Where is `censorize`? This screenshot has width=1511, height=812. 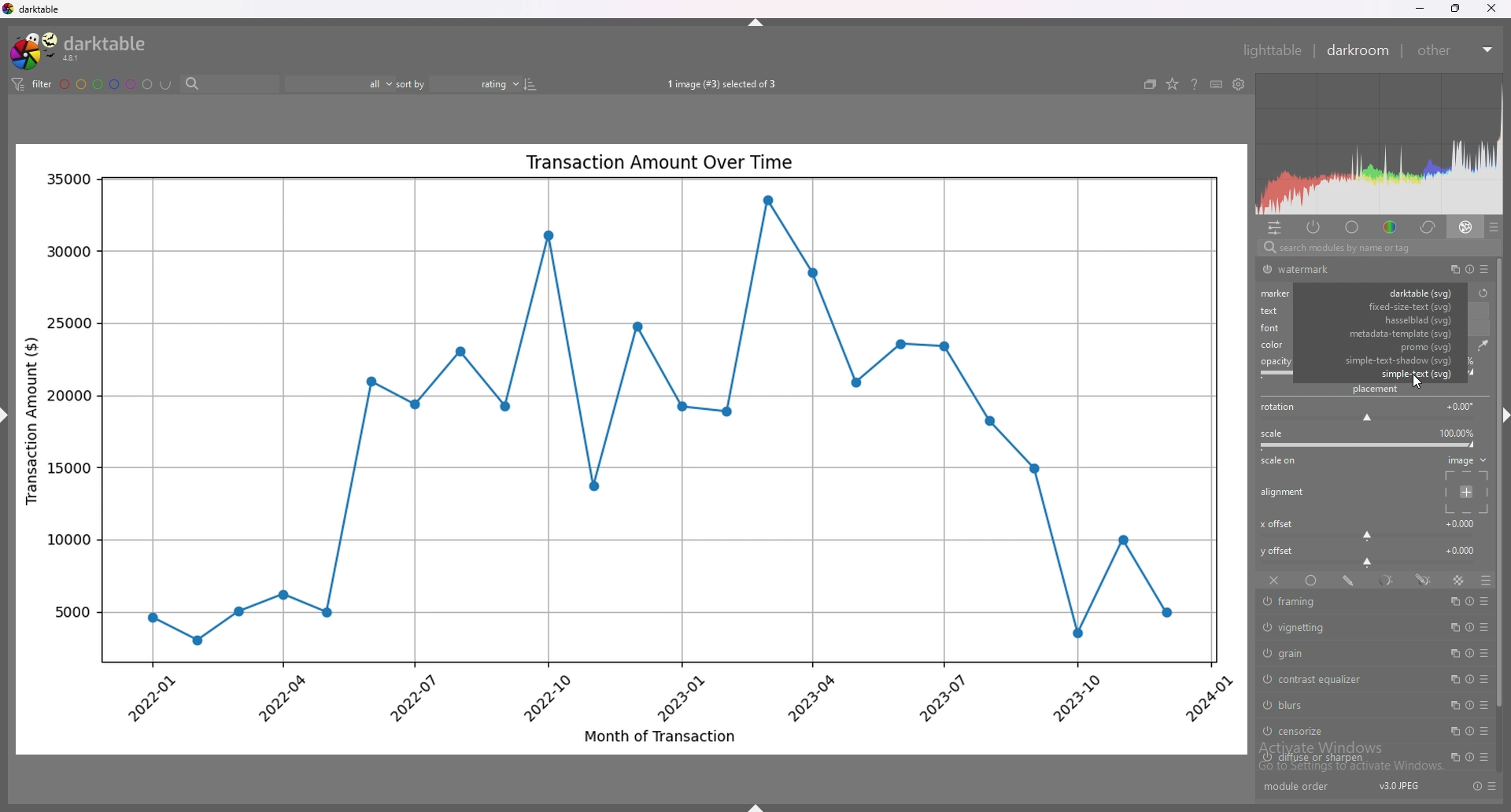
censorize is located at coordinates (1339, 730).